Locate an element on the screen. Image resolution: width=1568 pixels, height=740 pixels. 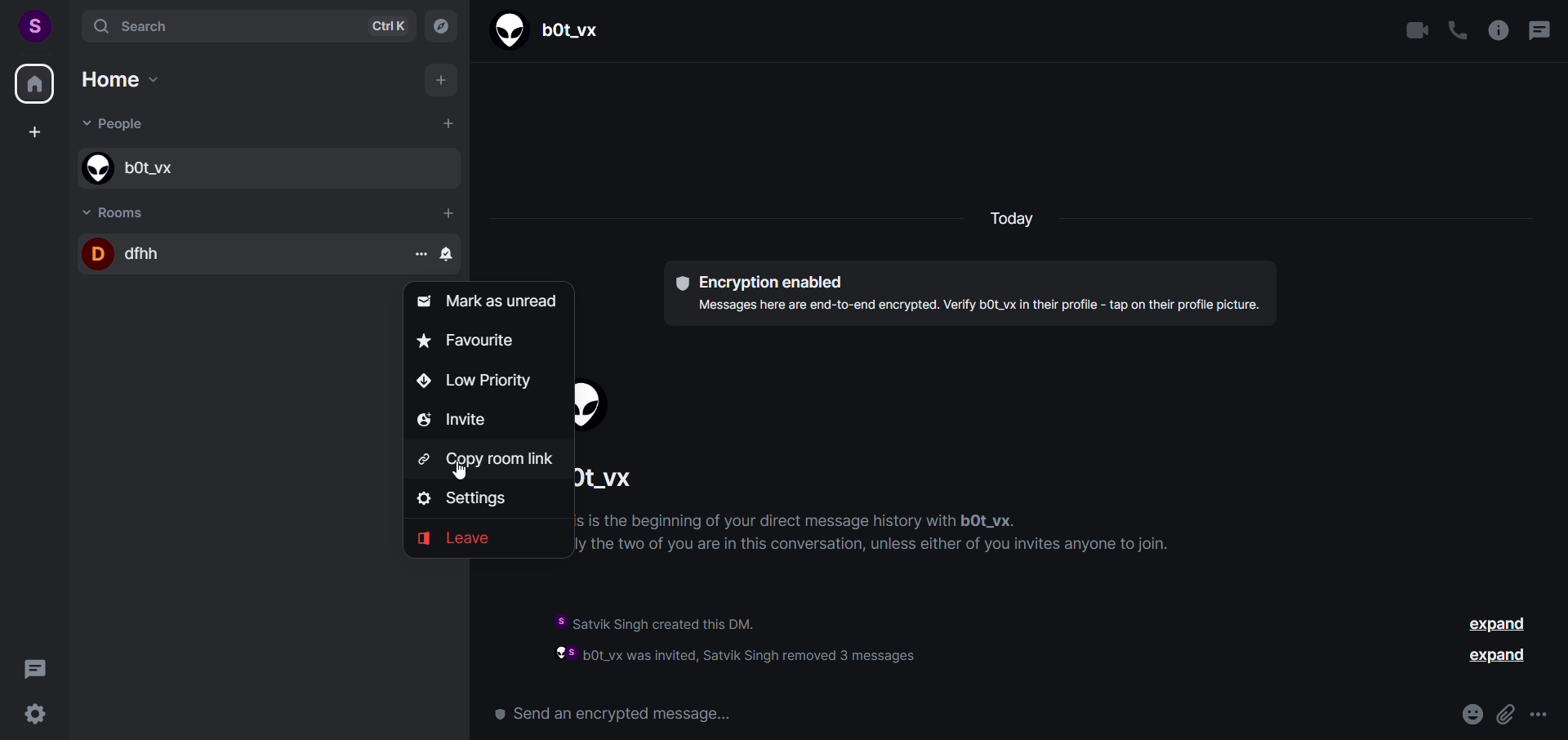
user is located at coordinates (33, 24).